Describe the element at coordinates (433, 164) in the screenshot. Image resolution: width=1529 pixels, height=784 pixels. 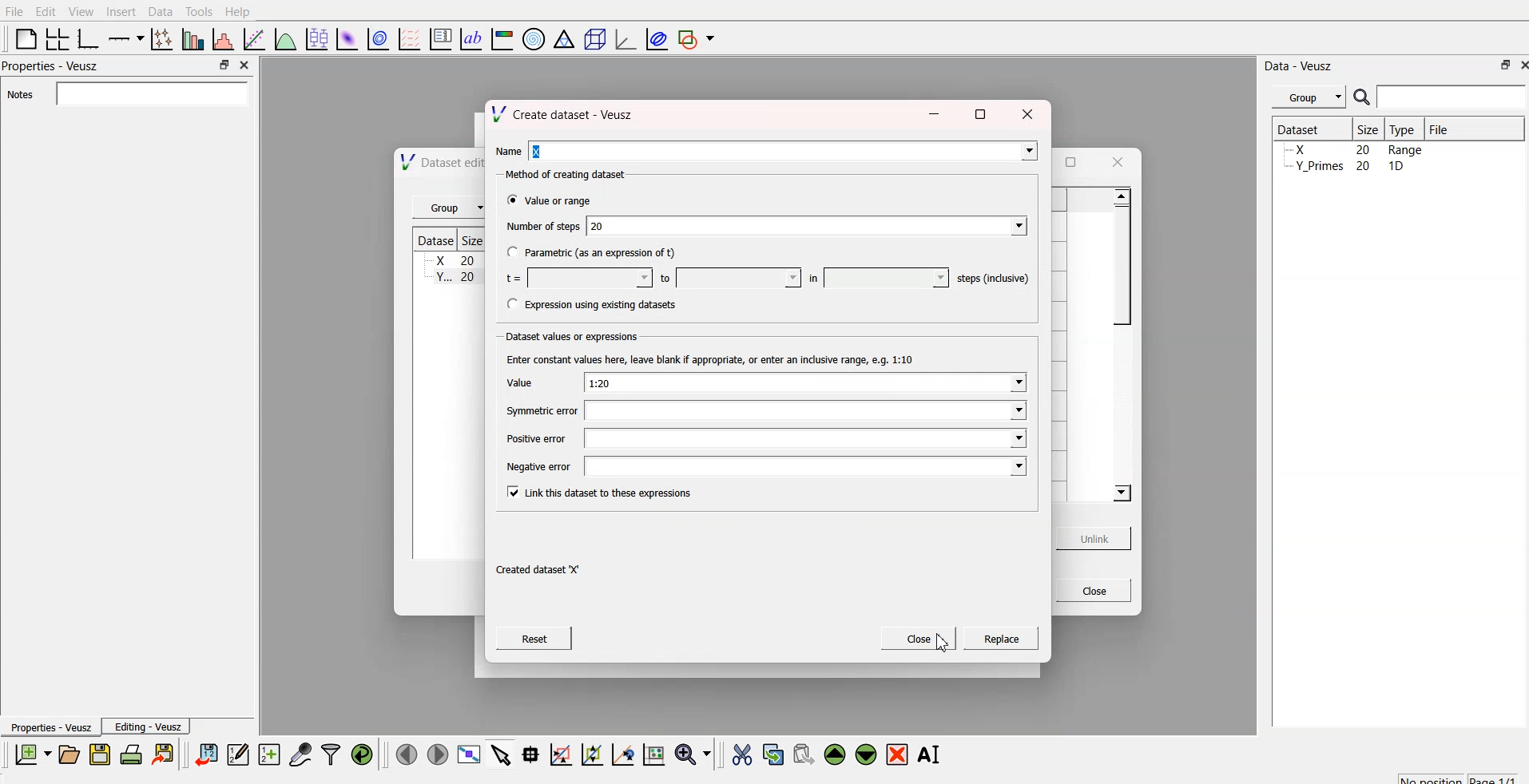
I see `N \/ Dataset editor - Veusz` at that location.